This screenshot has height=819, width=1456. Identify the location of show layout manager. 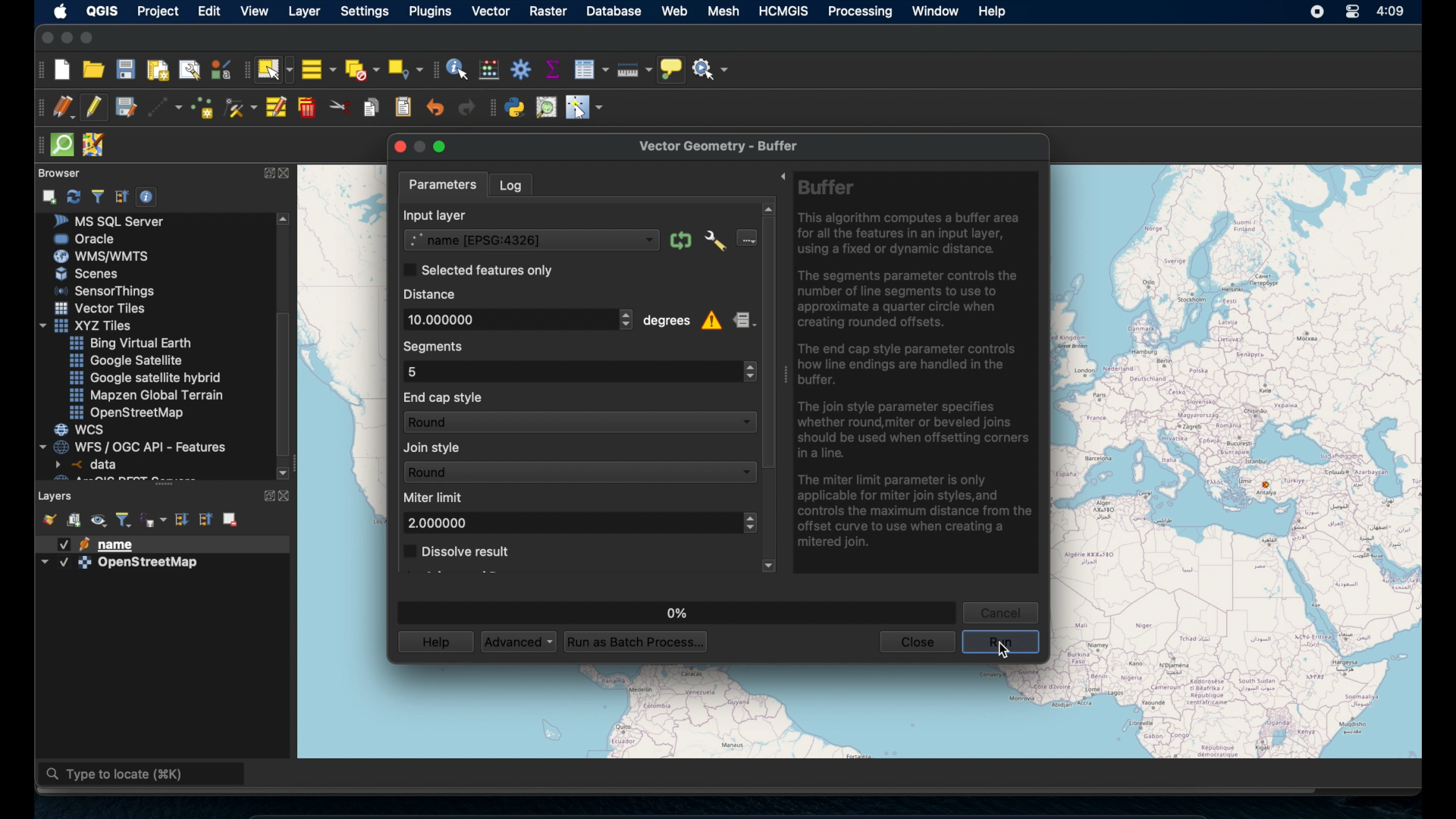
(192, 71).